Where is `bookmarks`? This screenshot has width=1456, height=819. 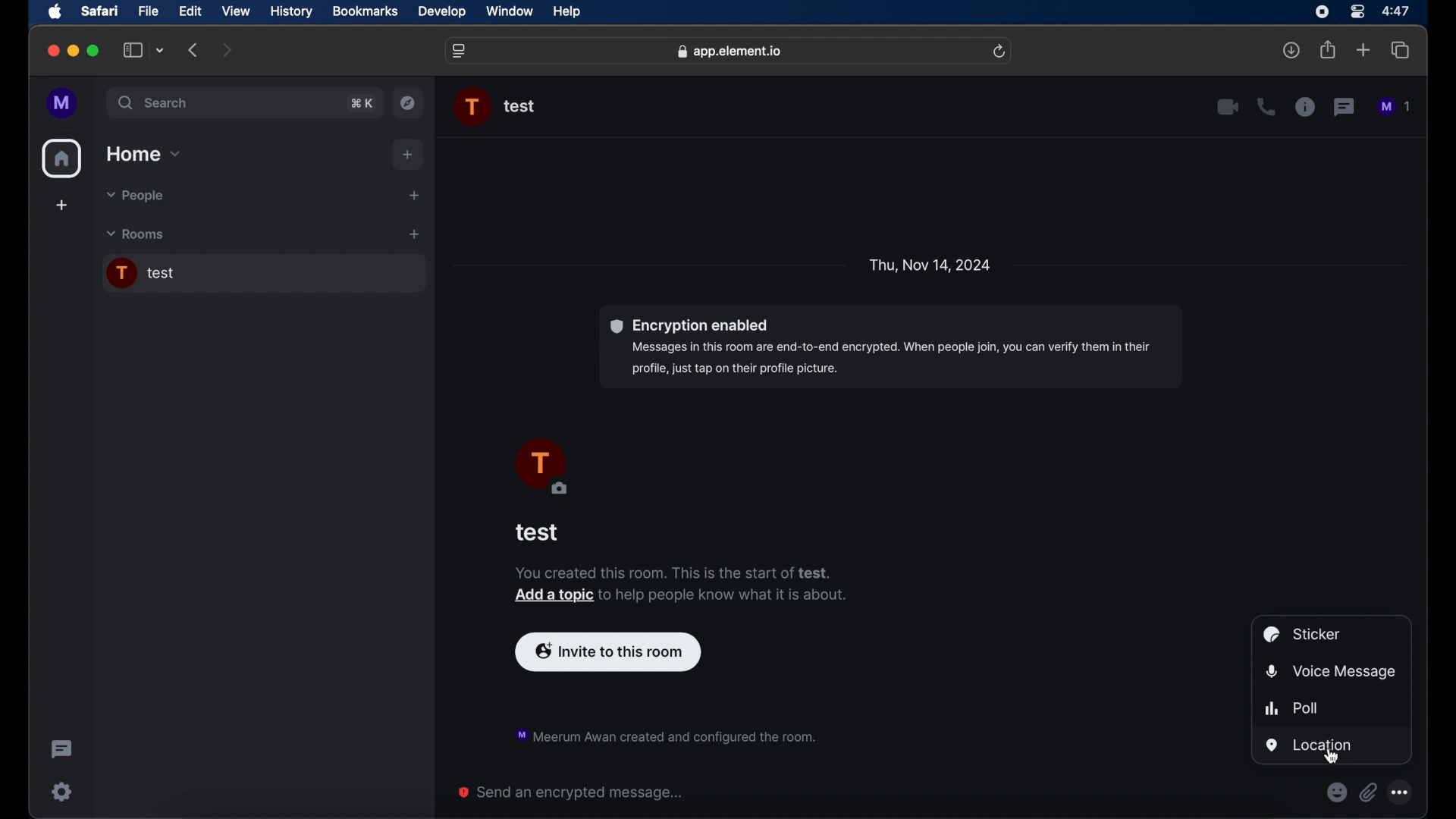 bookmarks is located at coordinates (365, 11).